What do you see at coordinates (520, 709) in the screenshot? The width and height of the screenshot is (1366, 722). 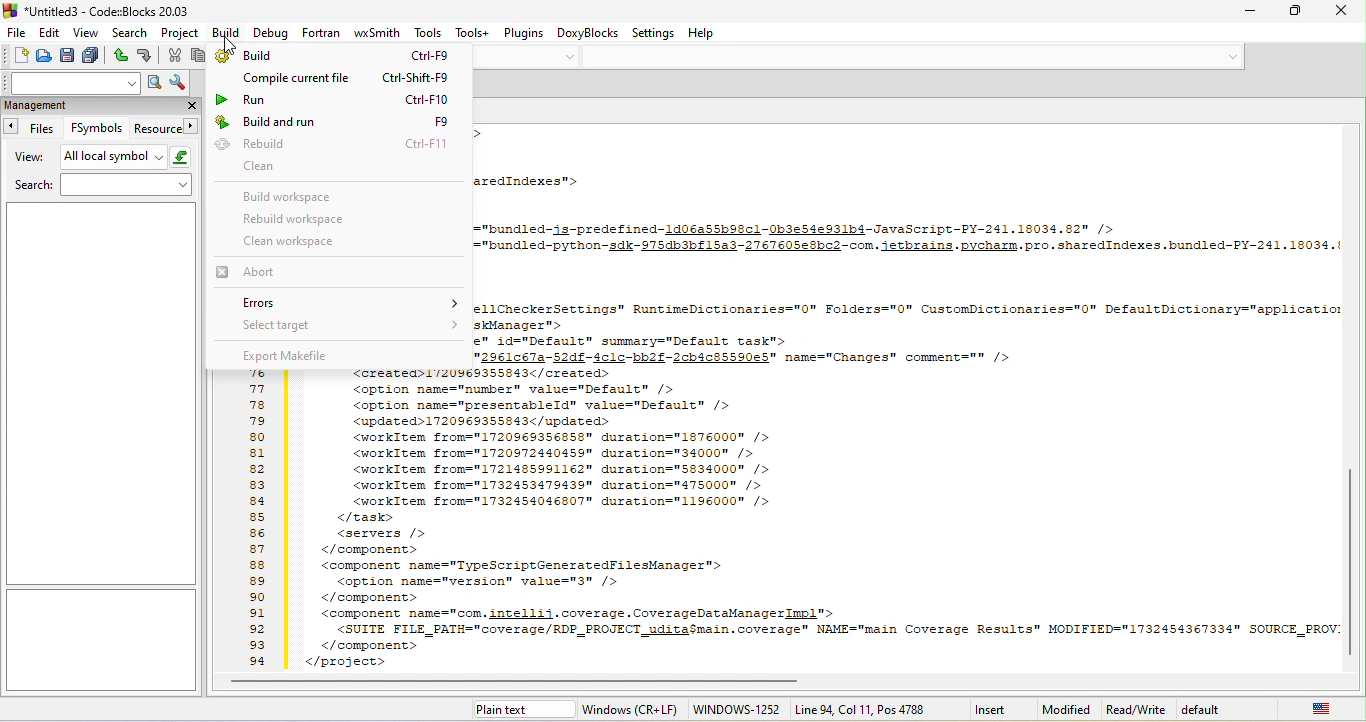 I see `plain text` at bounding box center [520, 709].